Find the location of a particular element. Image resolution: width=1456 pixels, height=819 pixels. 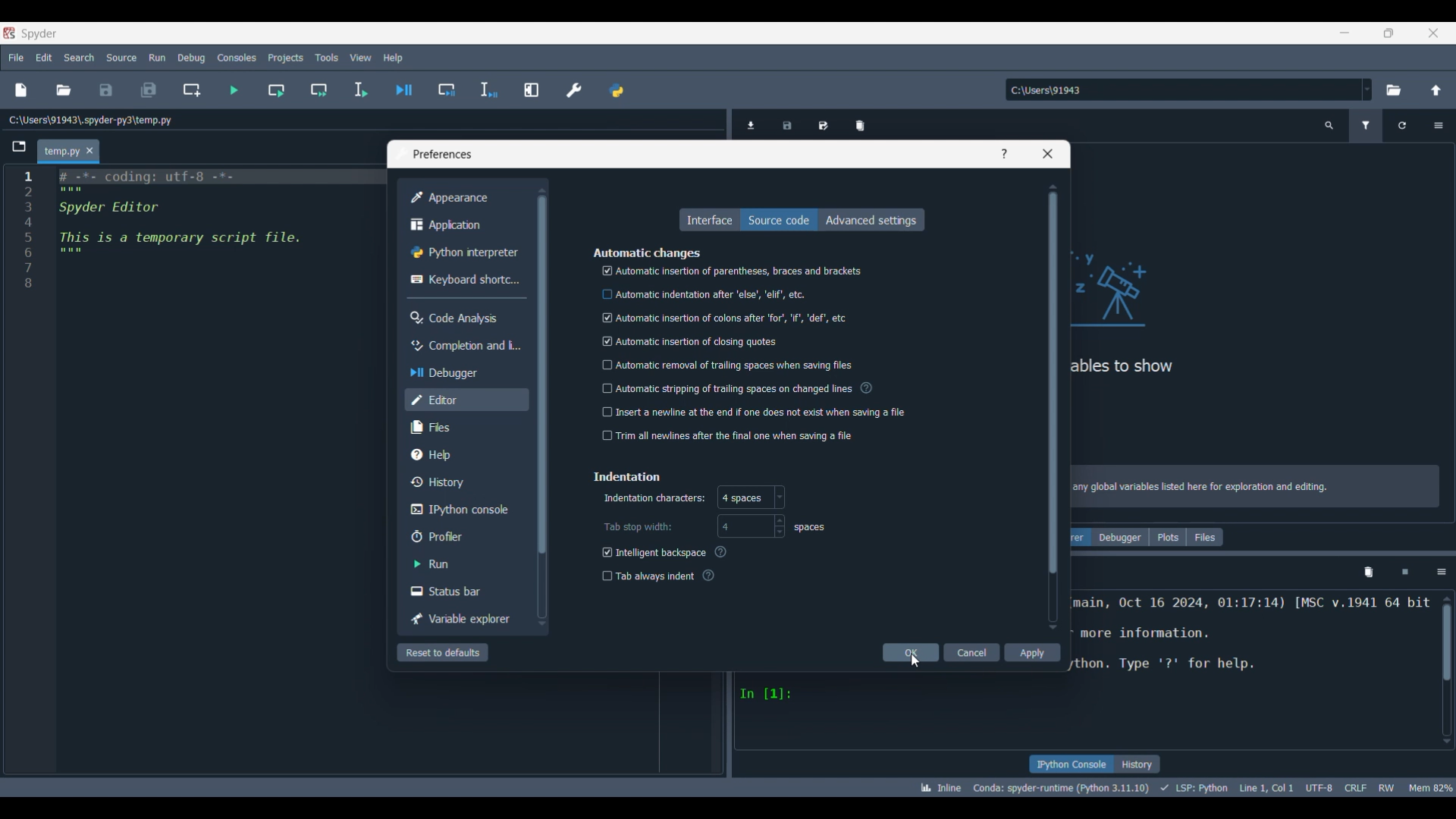

Reset to defaults is located at coordinates (443, 652).